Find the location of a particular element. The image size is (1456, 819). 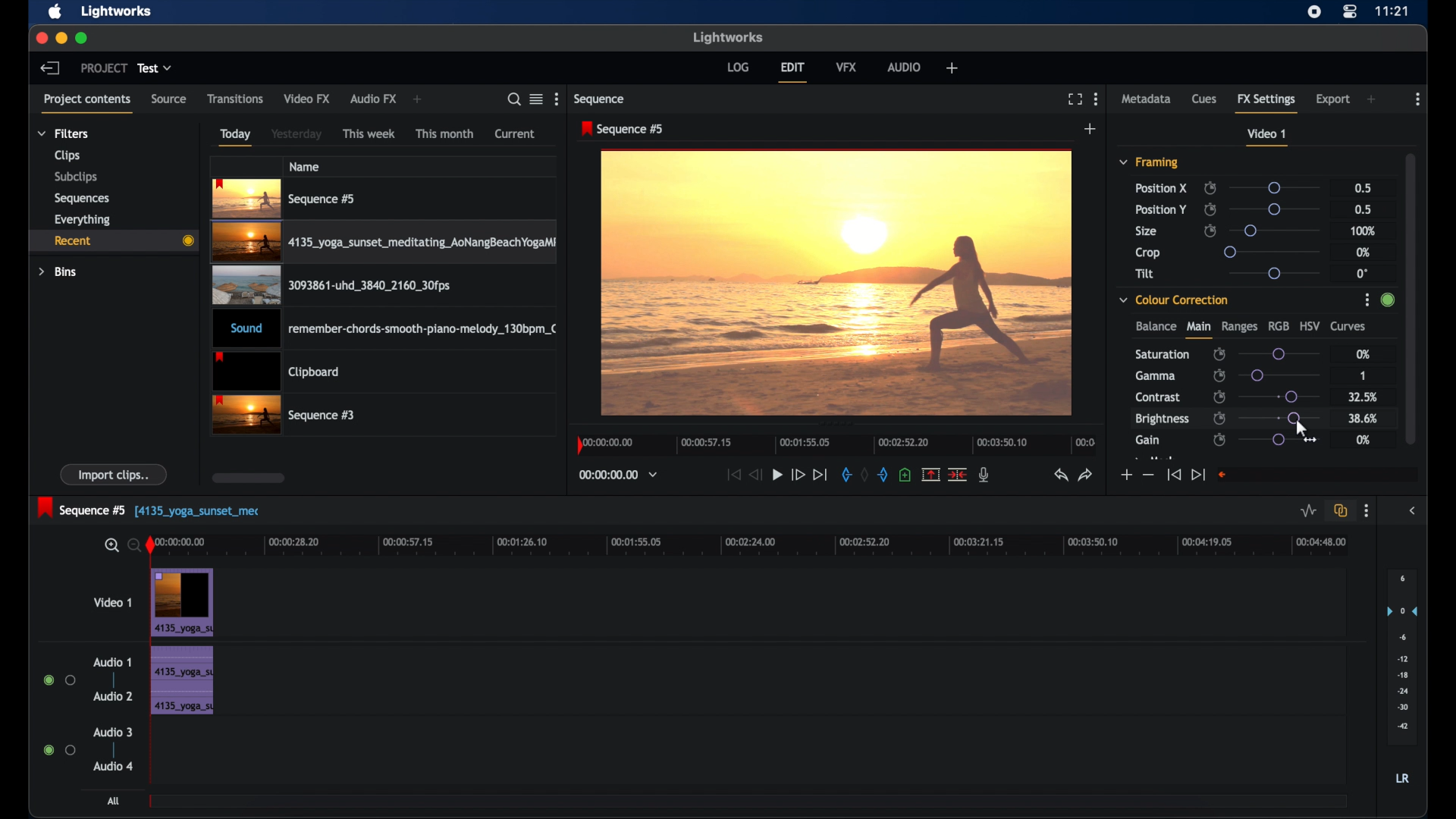

enable/disable keyframes is located at coordinates (1219, 355).